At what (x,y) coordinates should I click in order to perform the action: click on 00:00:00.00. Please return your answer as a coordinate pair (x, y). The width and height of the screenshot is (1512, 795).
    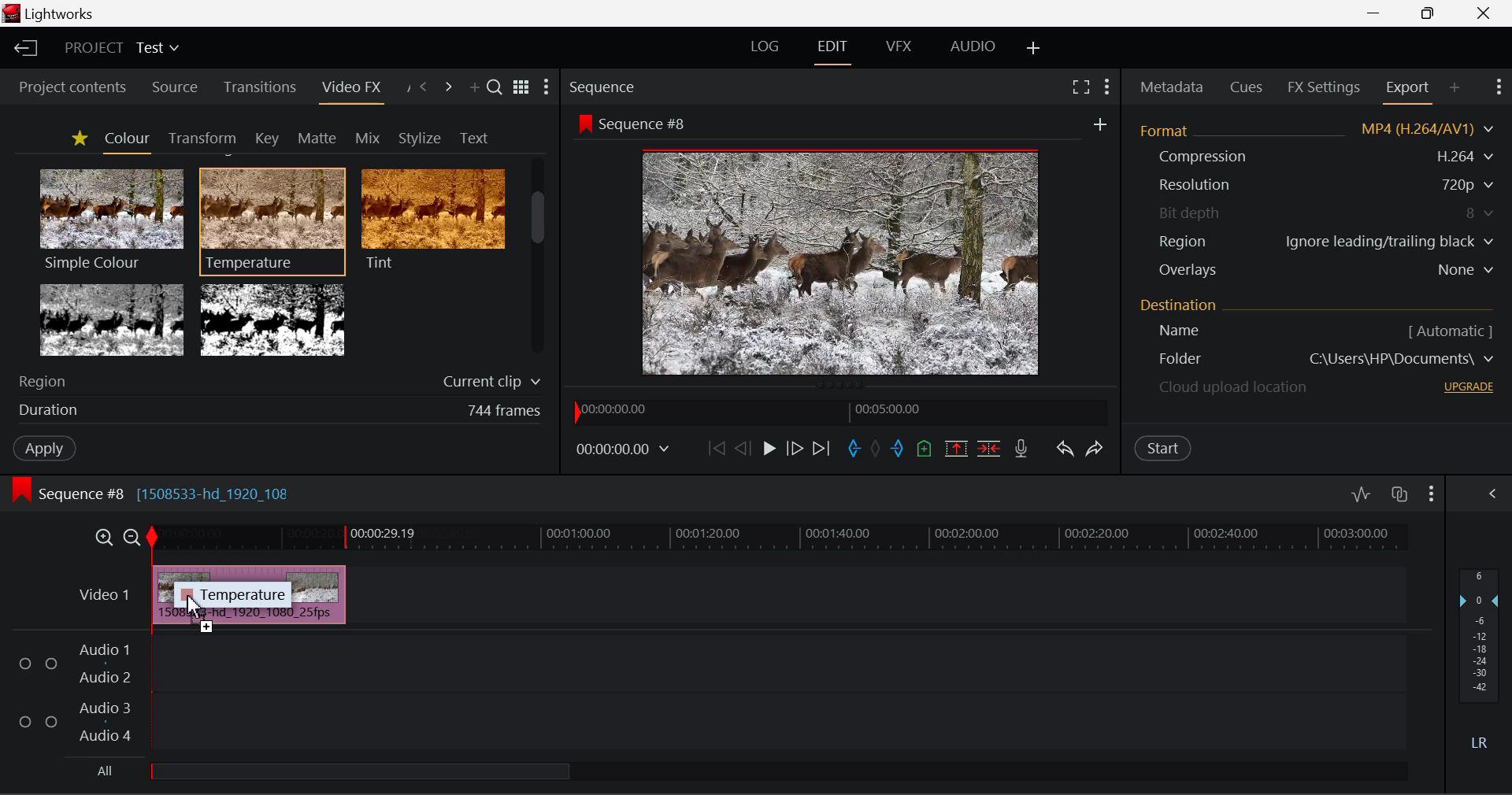
    Looking at the image, I should click on (617, 410).